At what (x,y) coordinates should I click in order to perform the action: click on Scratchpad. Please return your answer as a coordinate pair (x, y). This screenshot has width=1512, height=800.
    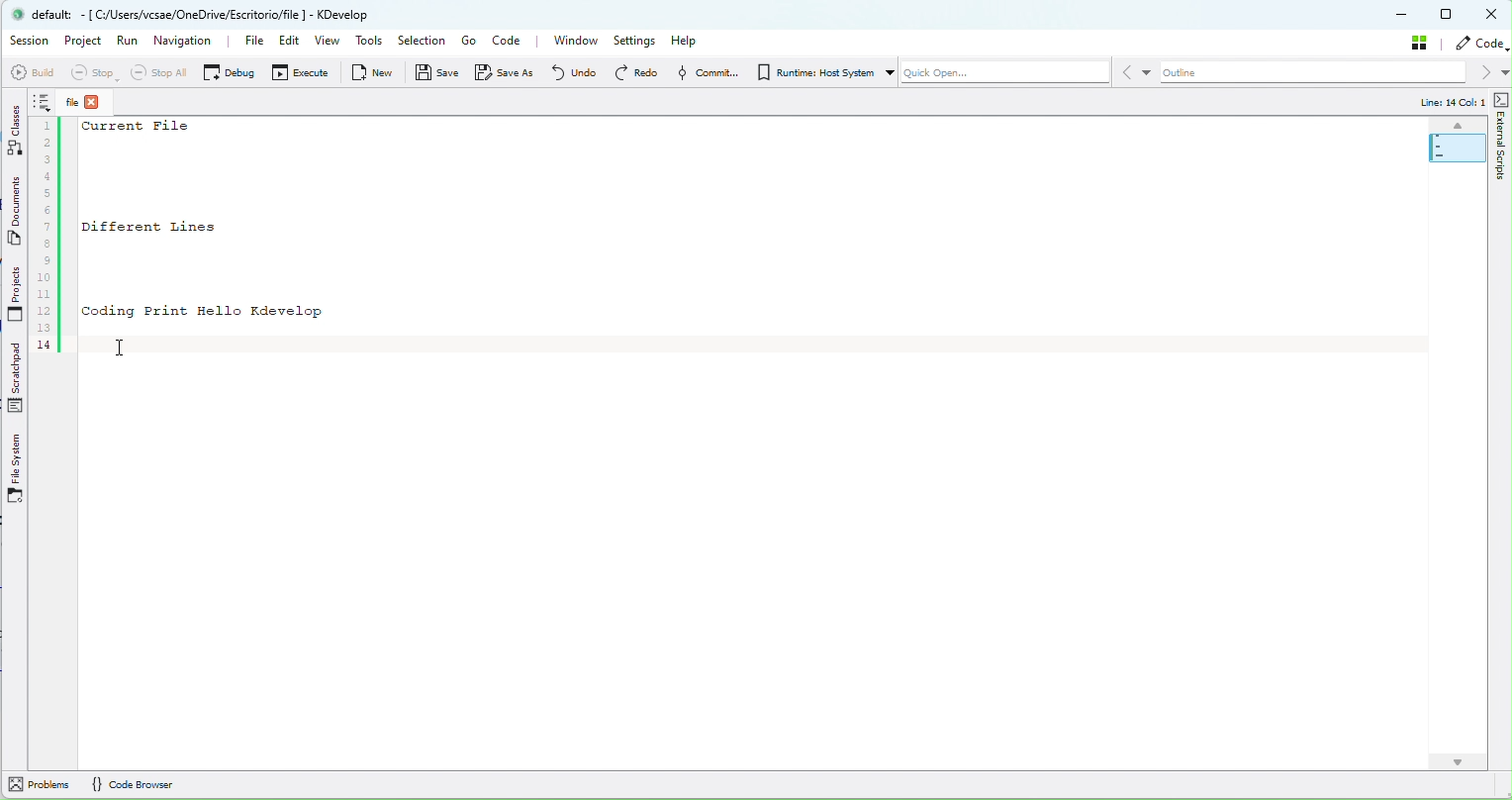
    Looking at the image, I should click on (18, 379).